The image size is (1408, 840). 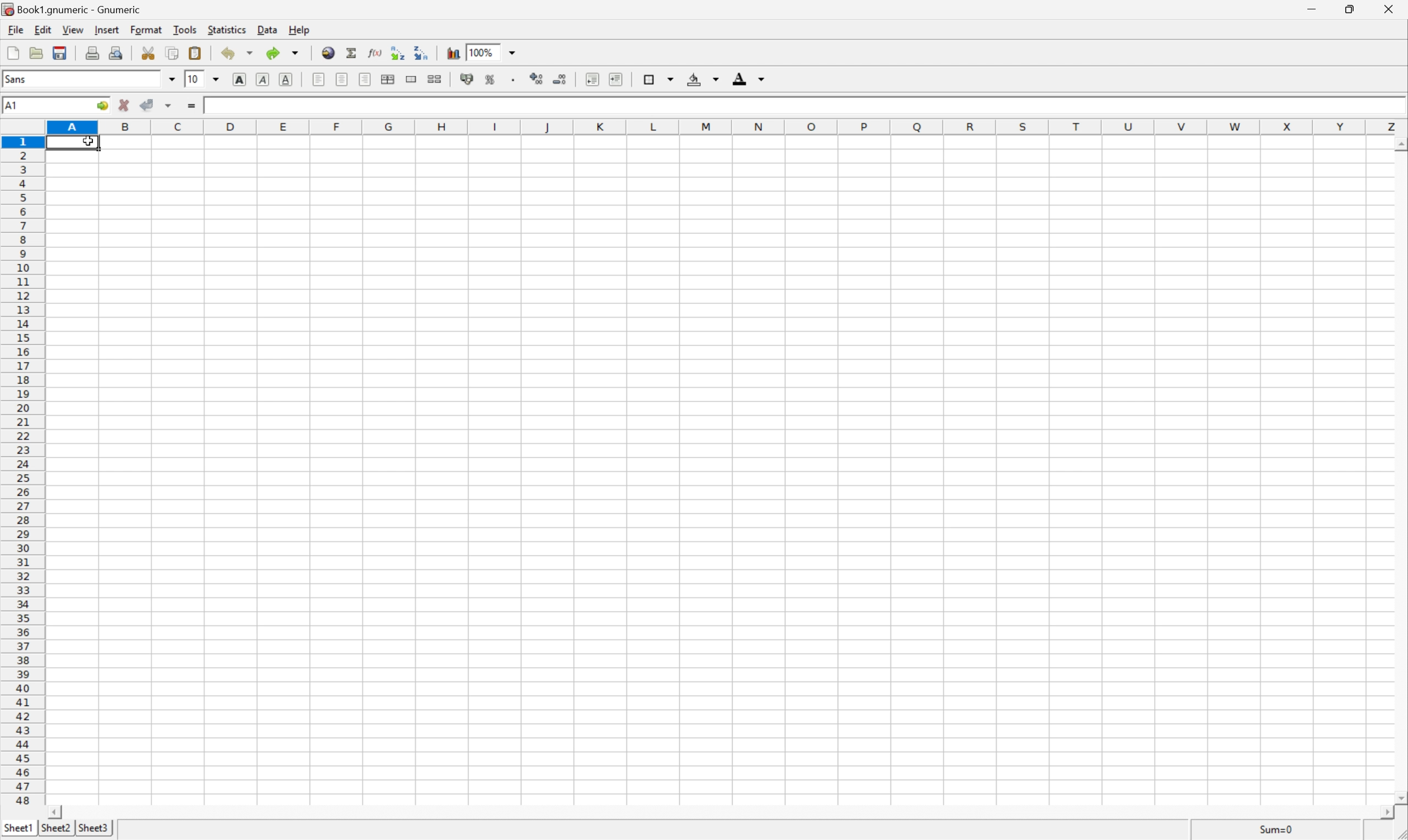 What do you see at coordinates (147, 105) in the screenshot?
I see `accept change` at bounding box center [147, 105].